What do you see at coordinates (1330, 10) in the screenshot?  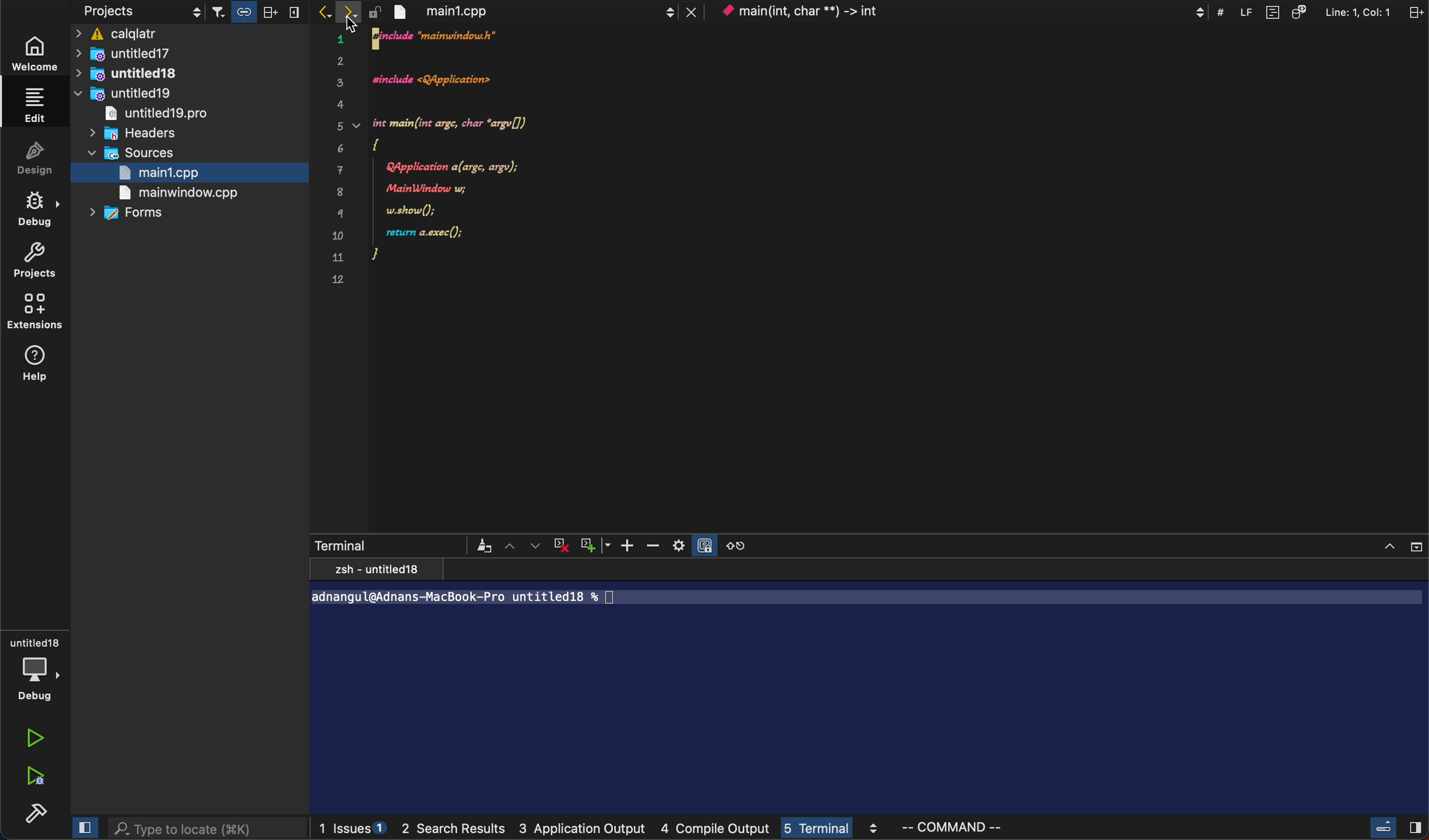 I see `split` at bounding box center [1330, 10].